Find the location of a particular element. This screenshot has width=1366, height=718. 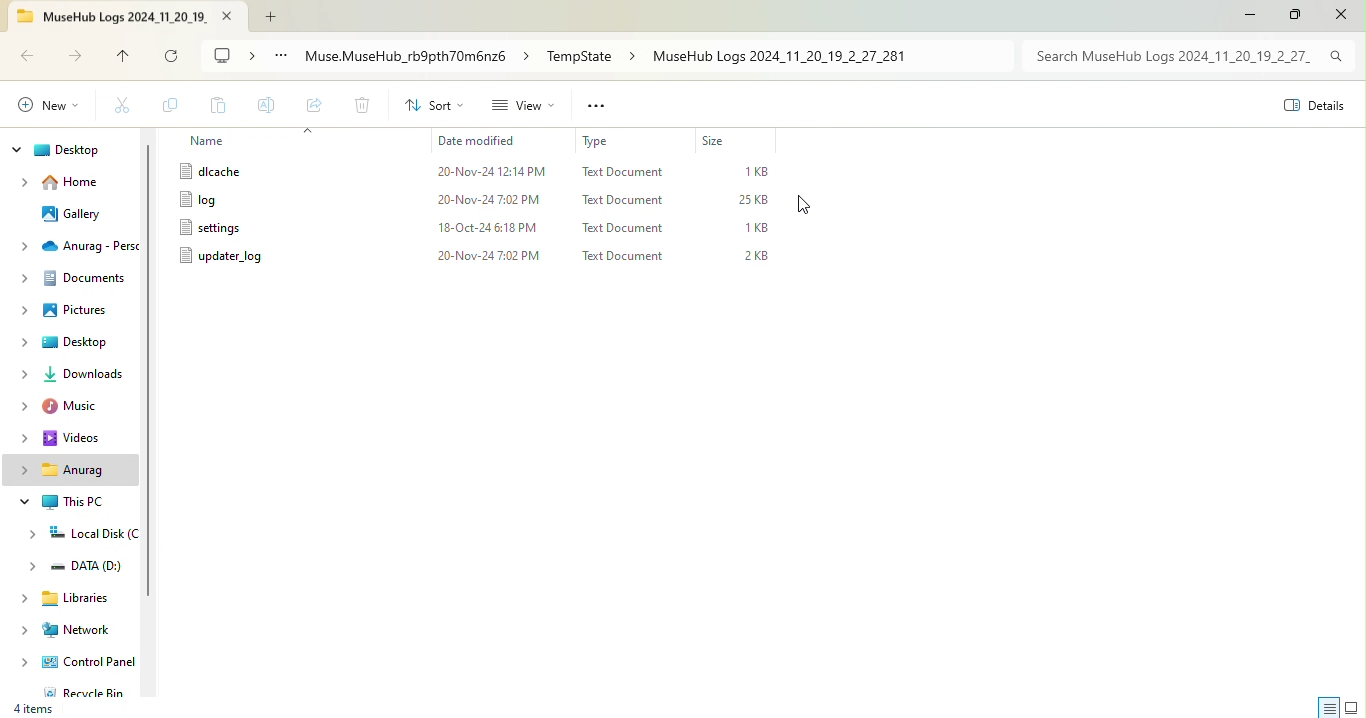

File is located at coordinates (492, 174).